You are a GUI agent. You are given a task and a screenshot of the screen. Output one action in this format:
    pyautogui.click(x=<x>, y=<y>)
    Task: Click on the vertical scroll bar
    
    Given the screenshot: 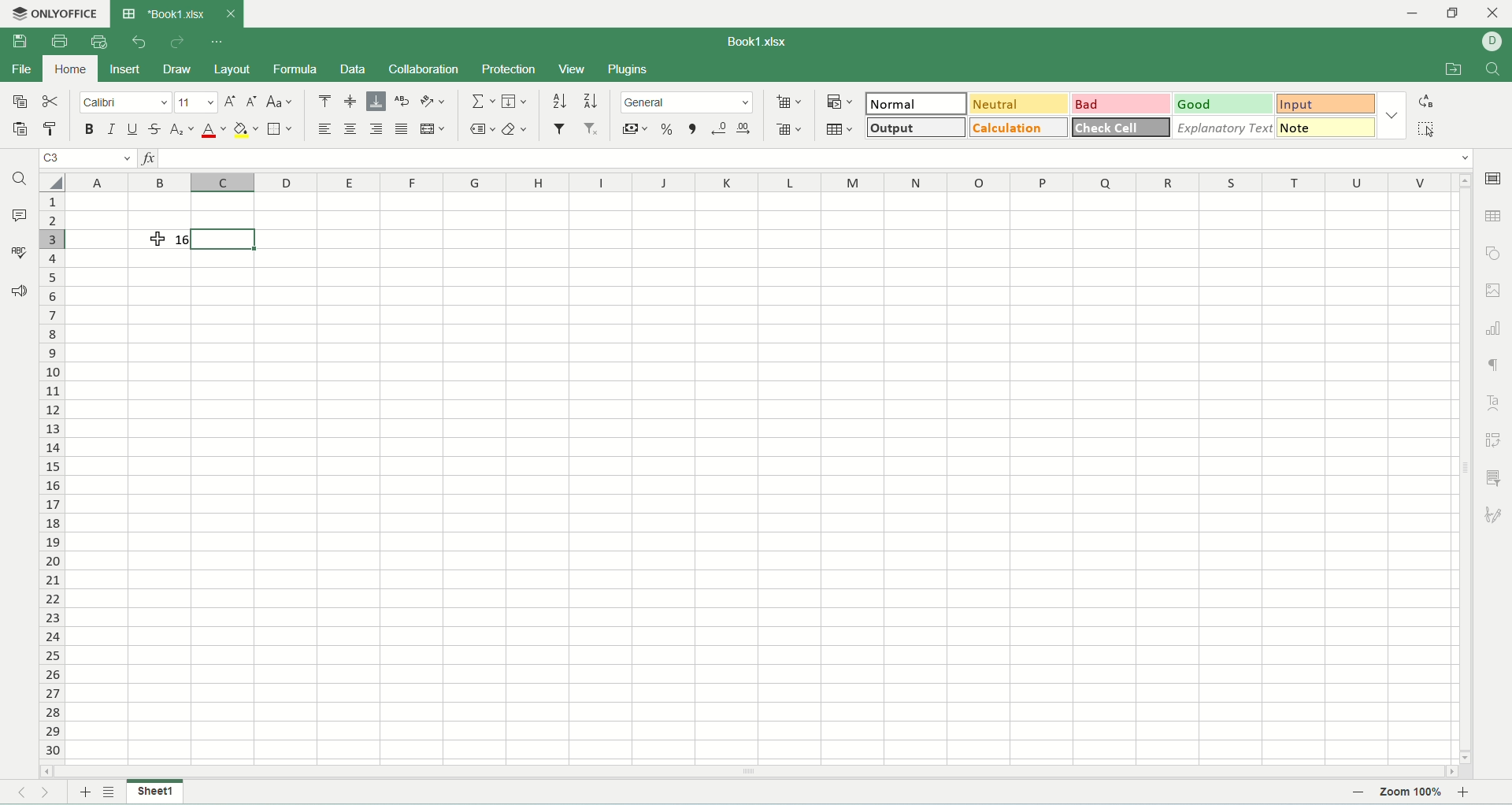 What is the action you would take?
    pyautogui.click(x=1466, y=468)
    